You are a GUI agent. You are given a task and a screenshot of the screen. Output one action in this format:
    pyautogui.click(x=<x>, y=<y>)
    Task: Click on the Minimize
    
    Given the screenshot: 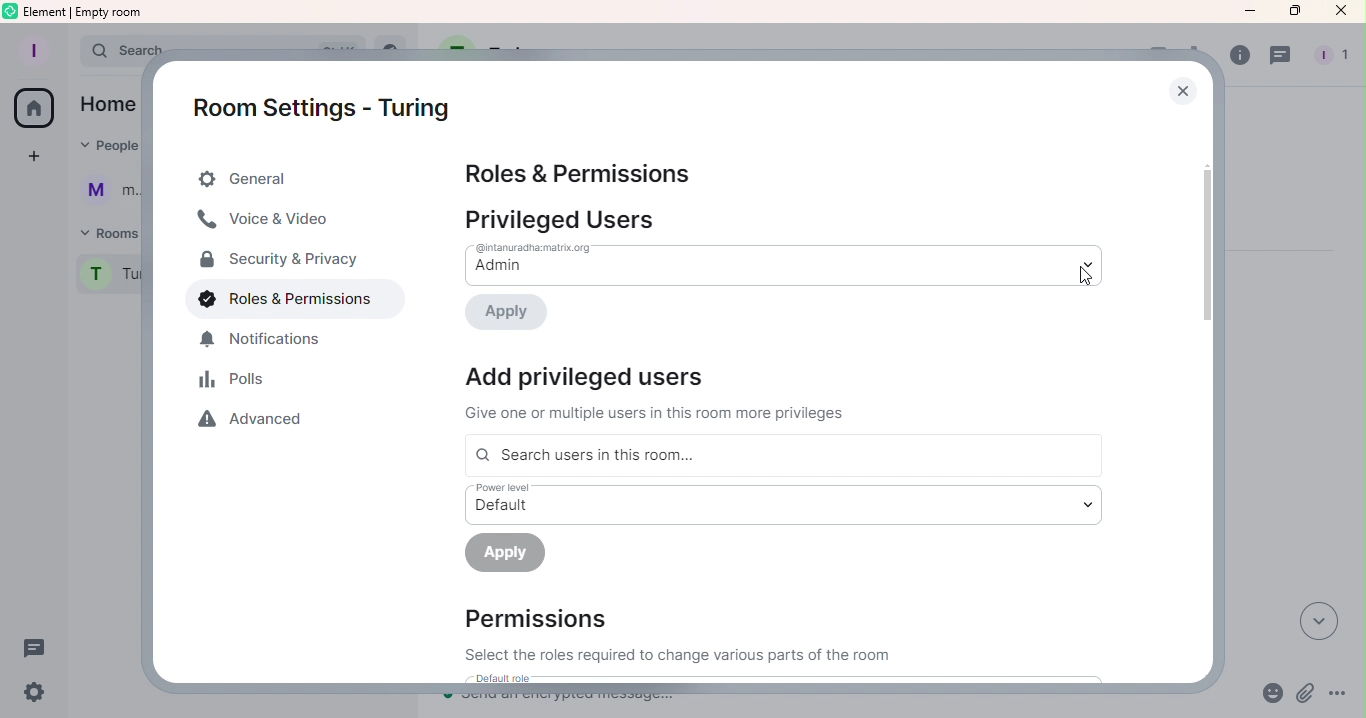 What is the action you would take?
    pyautogui.click(x=1248, y=16)
    